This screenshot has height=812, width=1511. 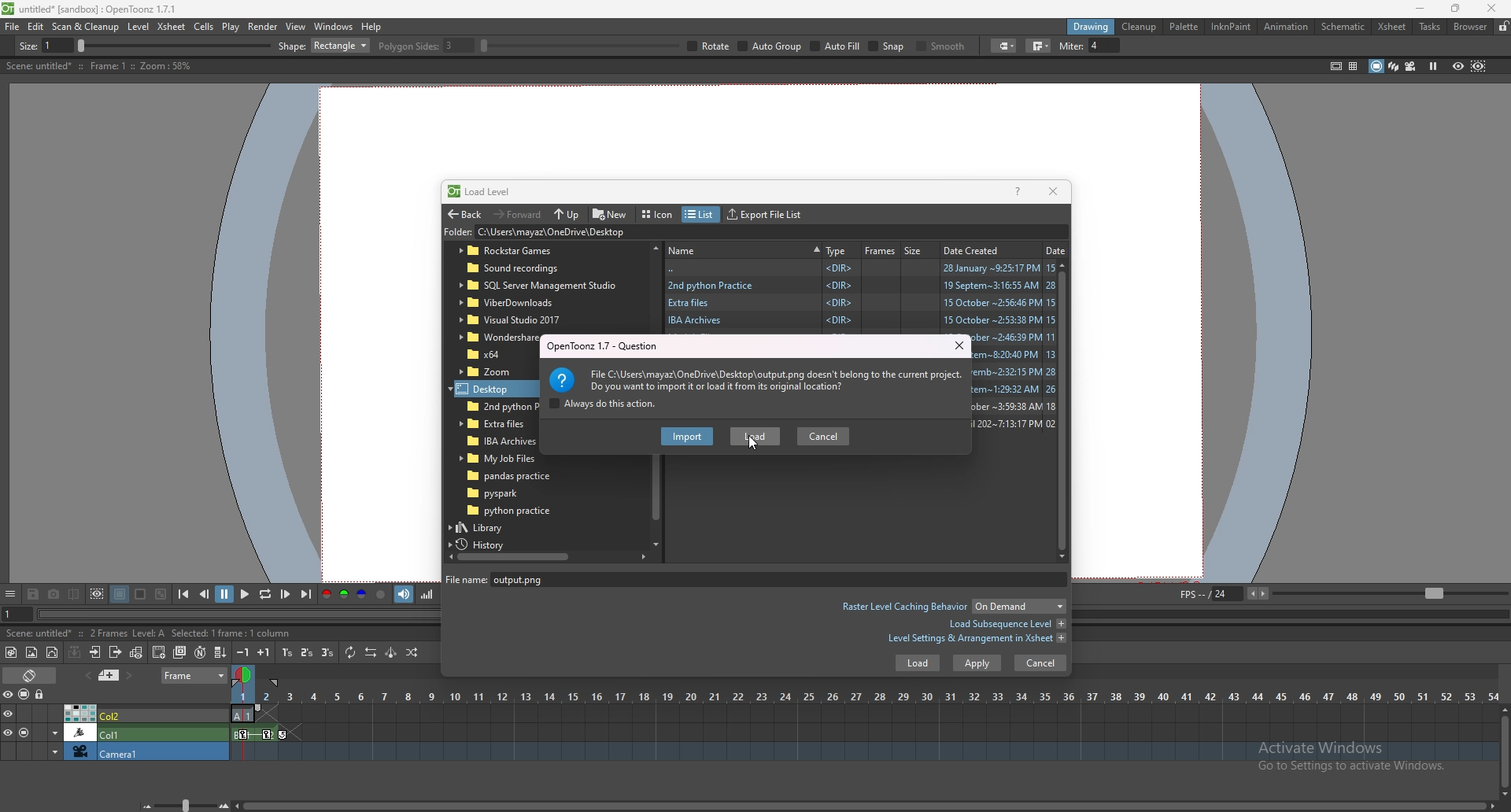 I want to click on folder, so click(x=493, y=425).